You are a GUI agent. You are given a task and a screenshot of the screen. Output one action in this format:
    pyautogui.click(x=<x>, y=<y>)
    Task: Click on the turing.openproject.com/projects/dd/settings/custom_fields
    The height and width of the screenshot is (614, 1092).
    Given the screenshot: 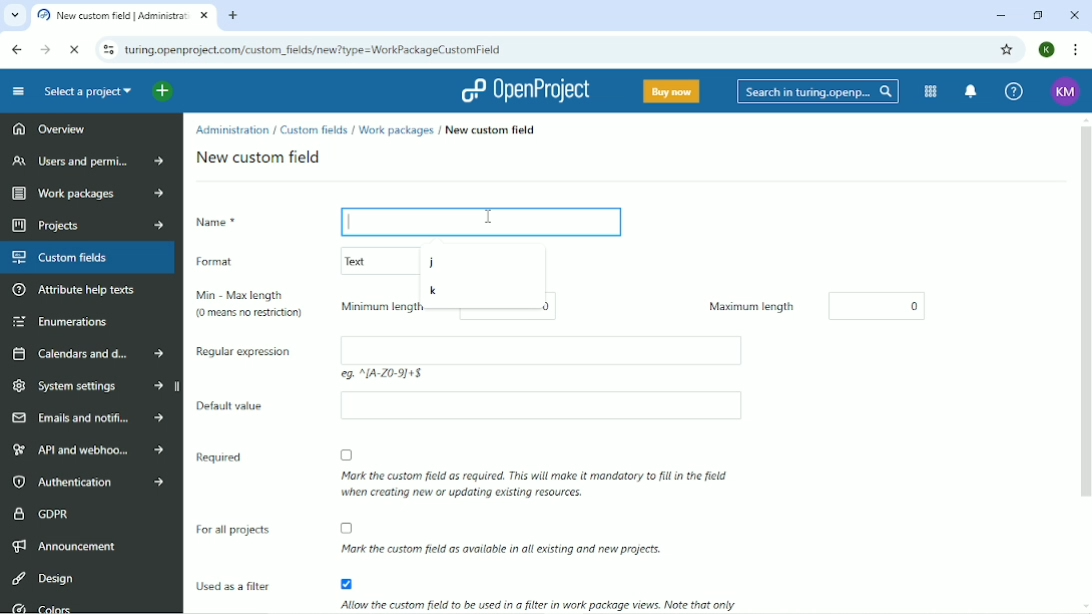 What is the action you would take?
    pyautogui.click(x=317, y=51)
    